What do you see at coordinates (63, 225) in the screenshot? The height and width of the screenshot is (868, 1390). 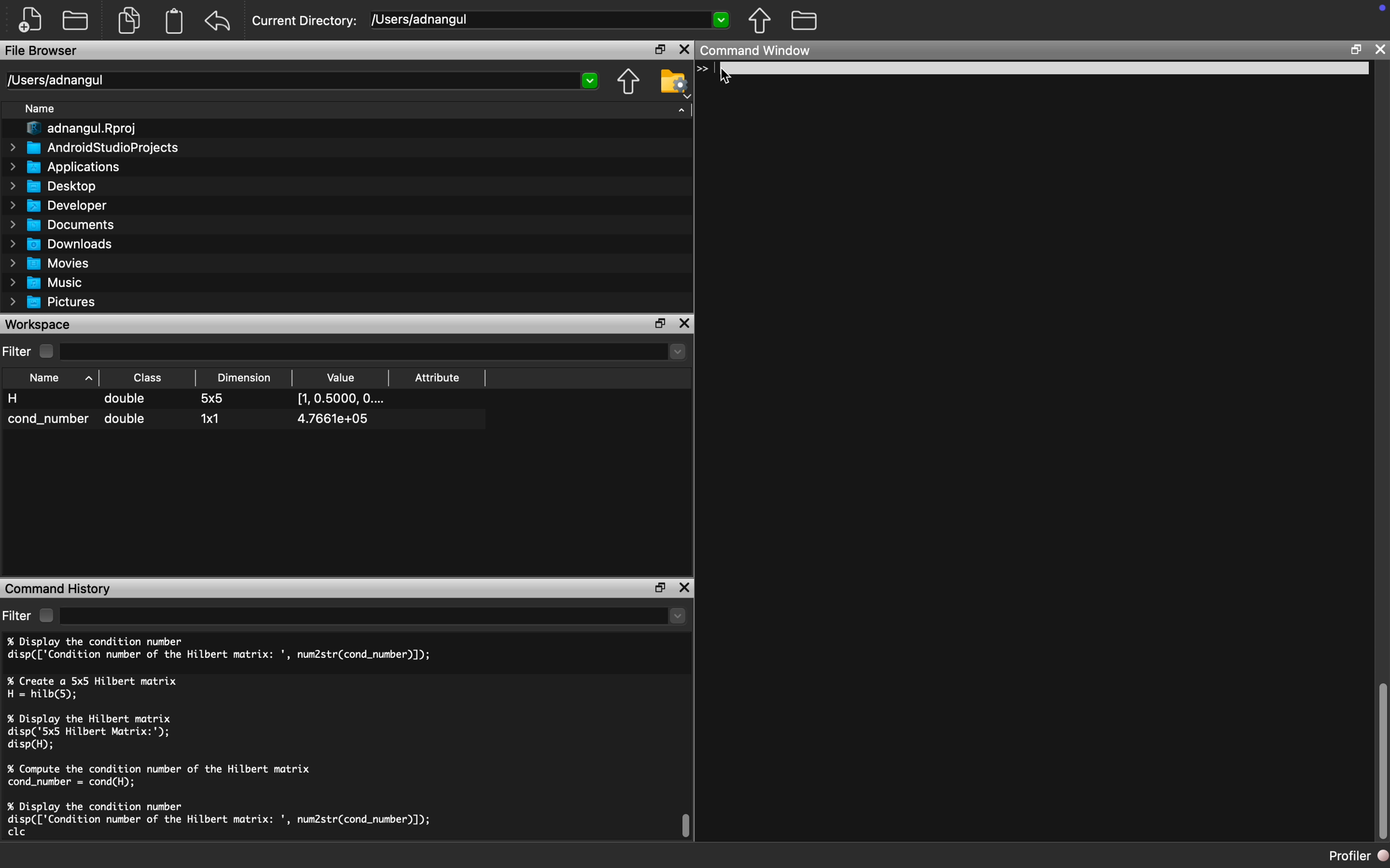 I see `Documents` at bounding box center [63, 225].